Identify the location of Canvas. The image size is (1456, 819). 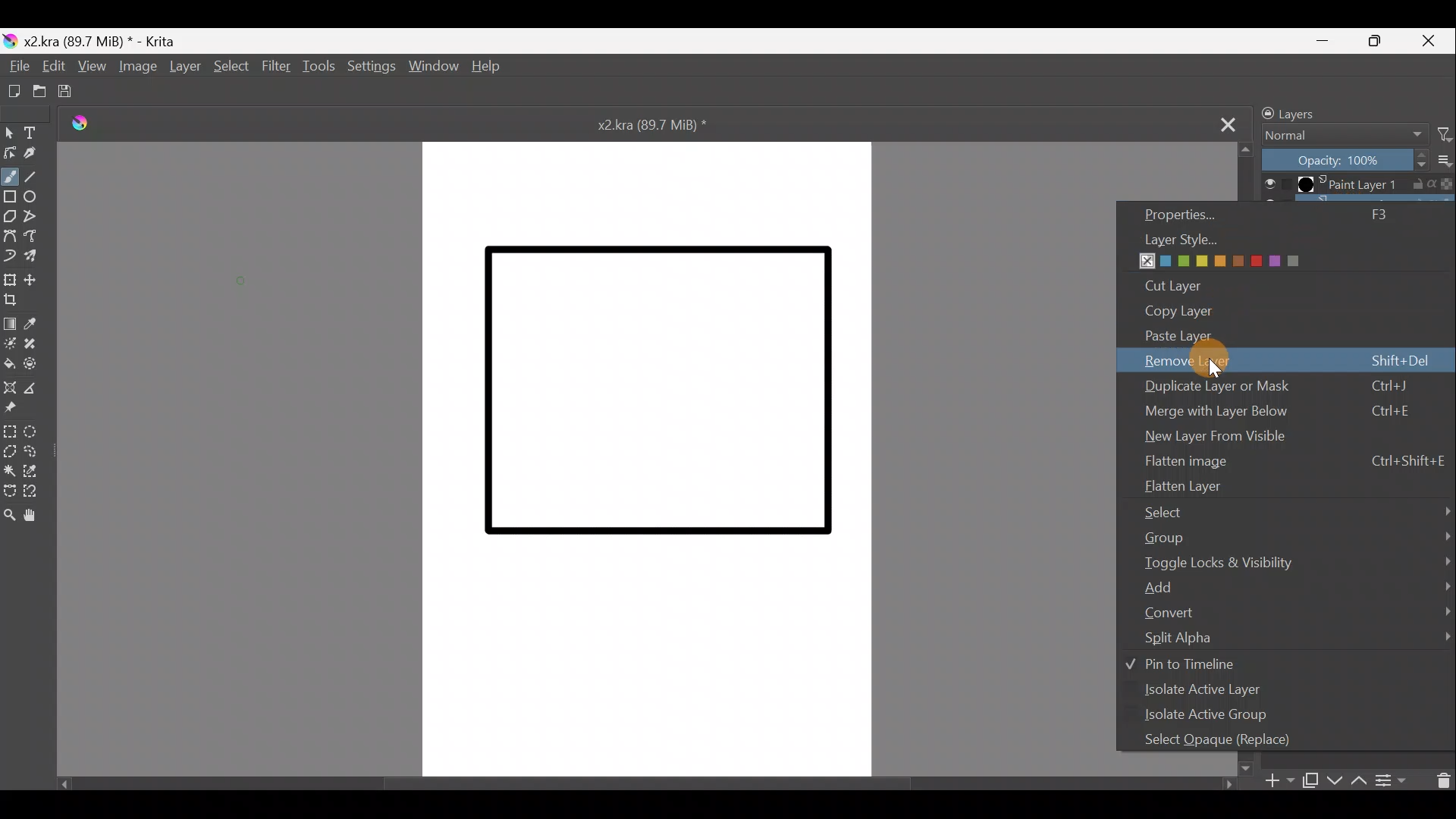
(650, 457).